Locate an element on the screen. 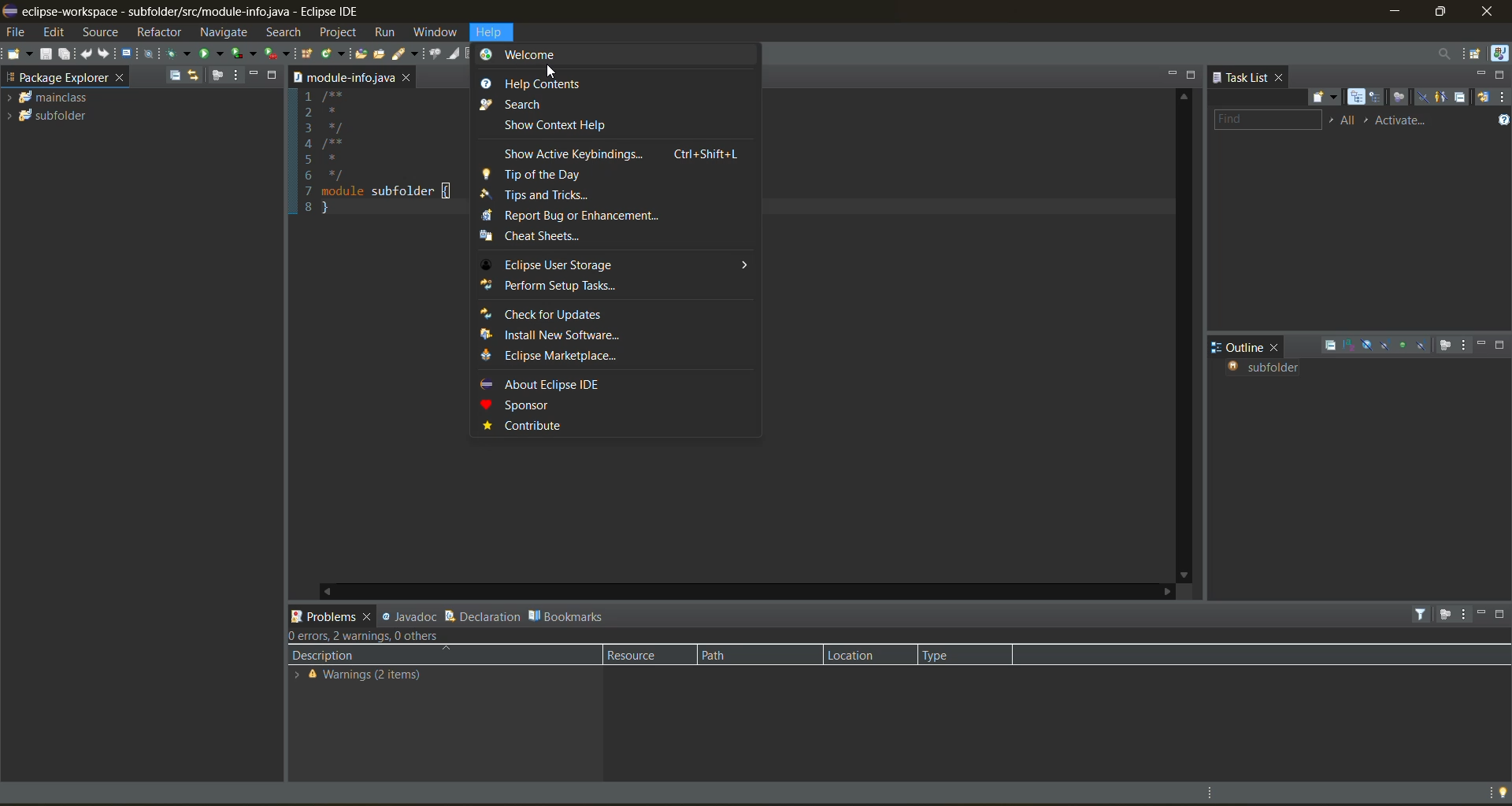  show content help is located at coordinates (566, 124).